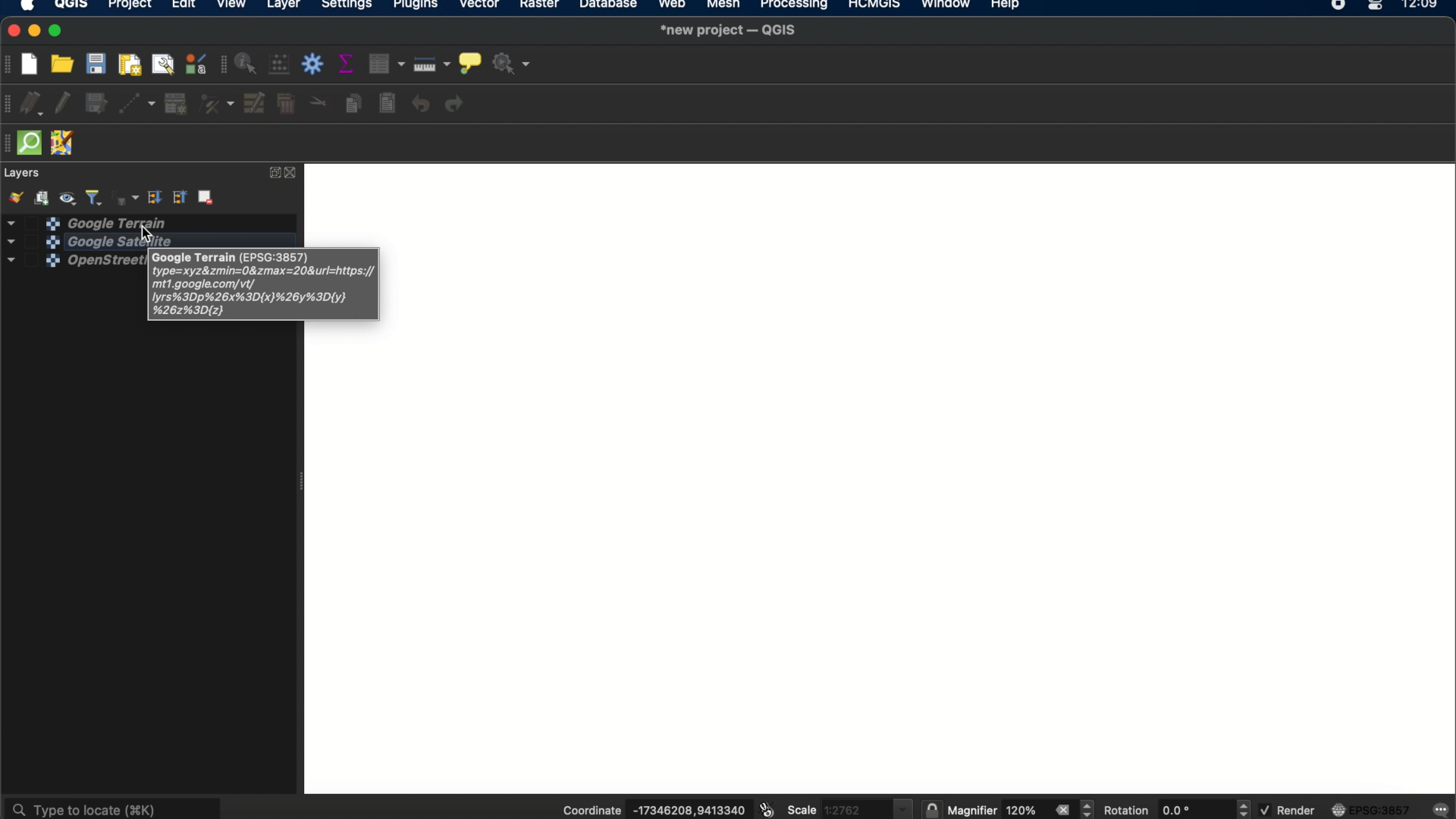  Describe the element at coordinates (294, 173) in the screenshot. I see `close` at that location.